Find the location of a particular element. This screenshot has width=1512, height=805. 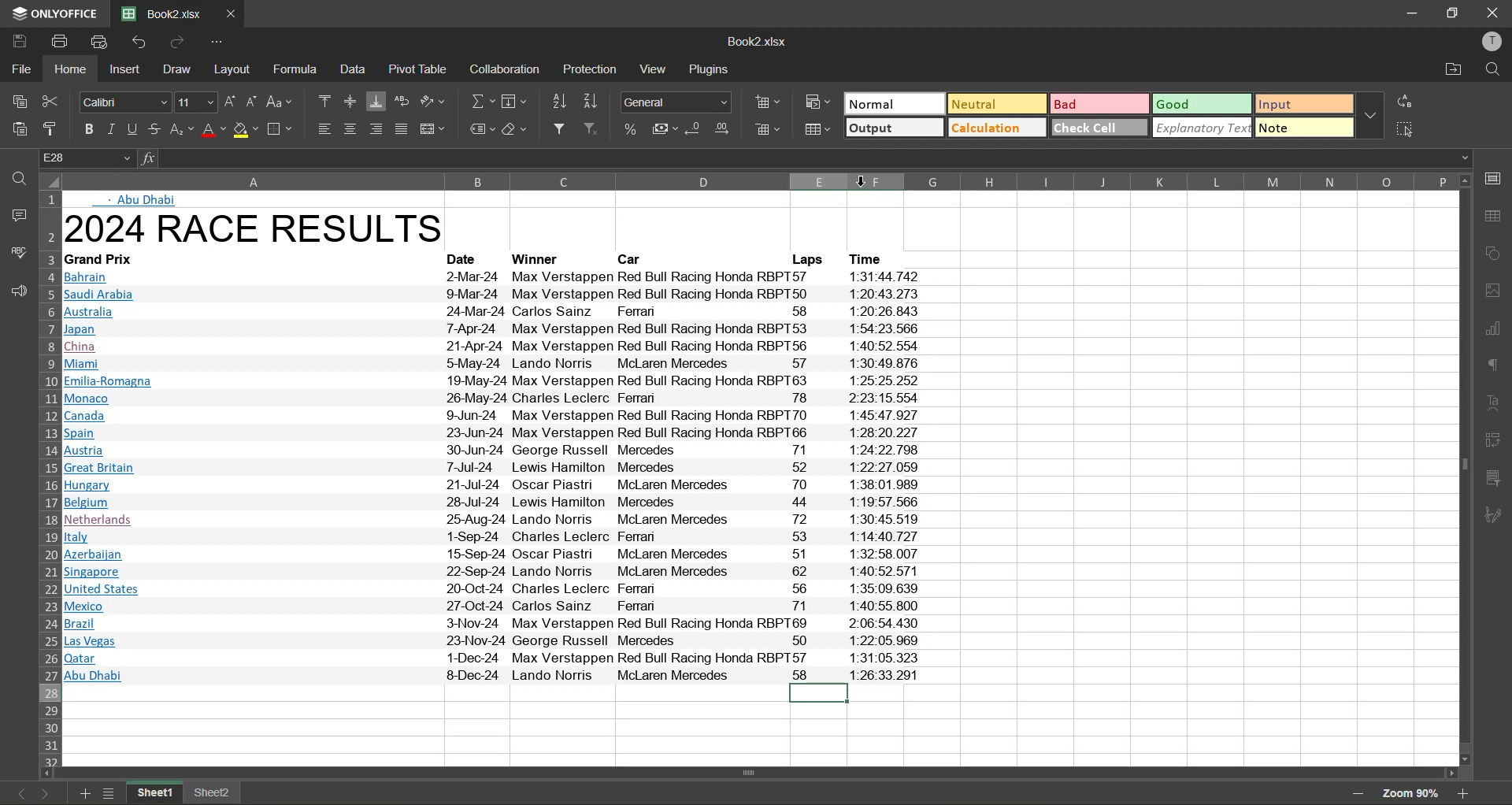

neutral is located at coordinates (996, 106).